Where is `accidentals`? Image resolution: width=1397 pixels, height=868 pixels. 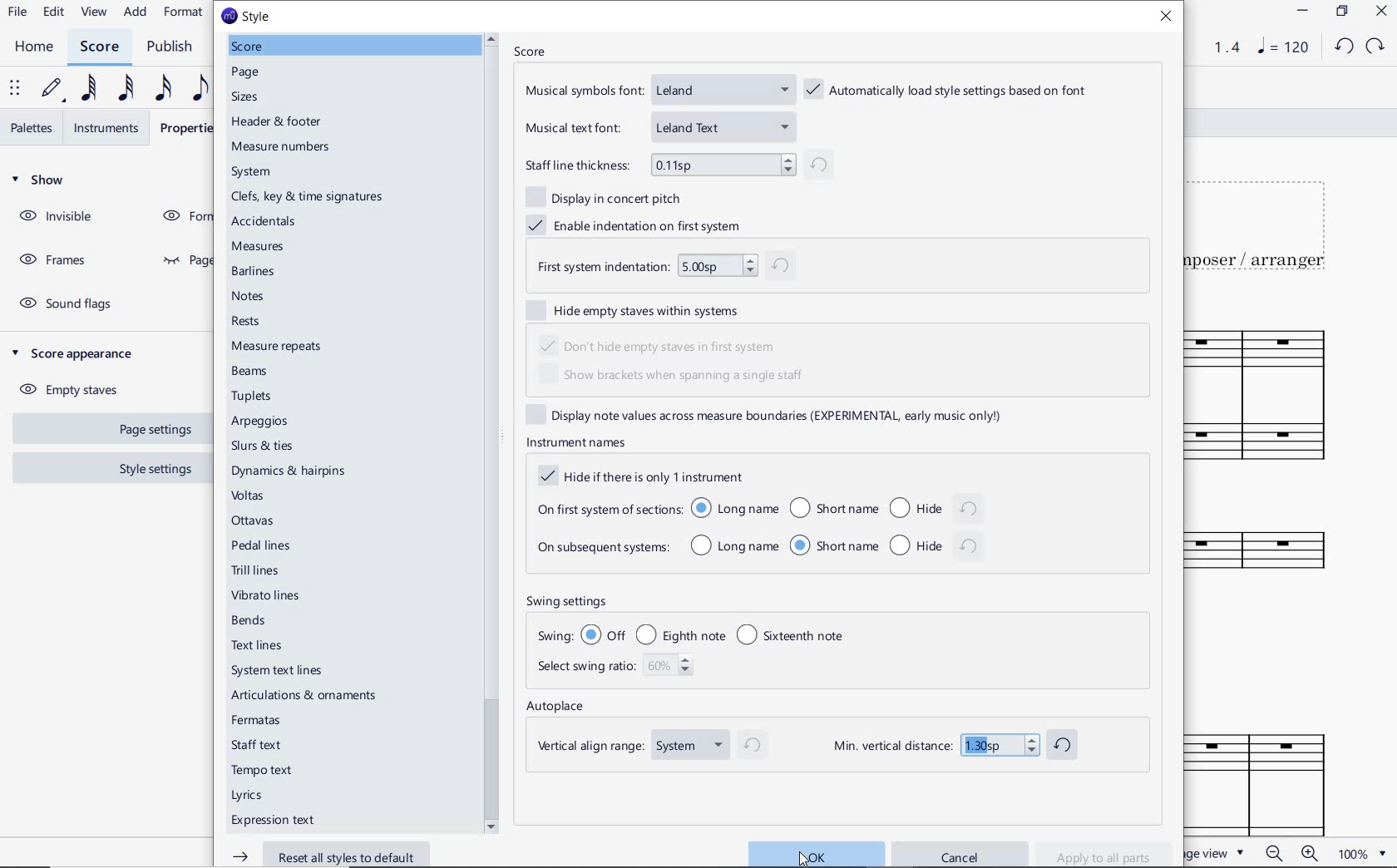
accidentals is located at coordinates (260, 221).